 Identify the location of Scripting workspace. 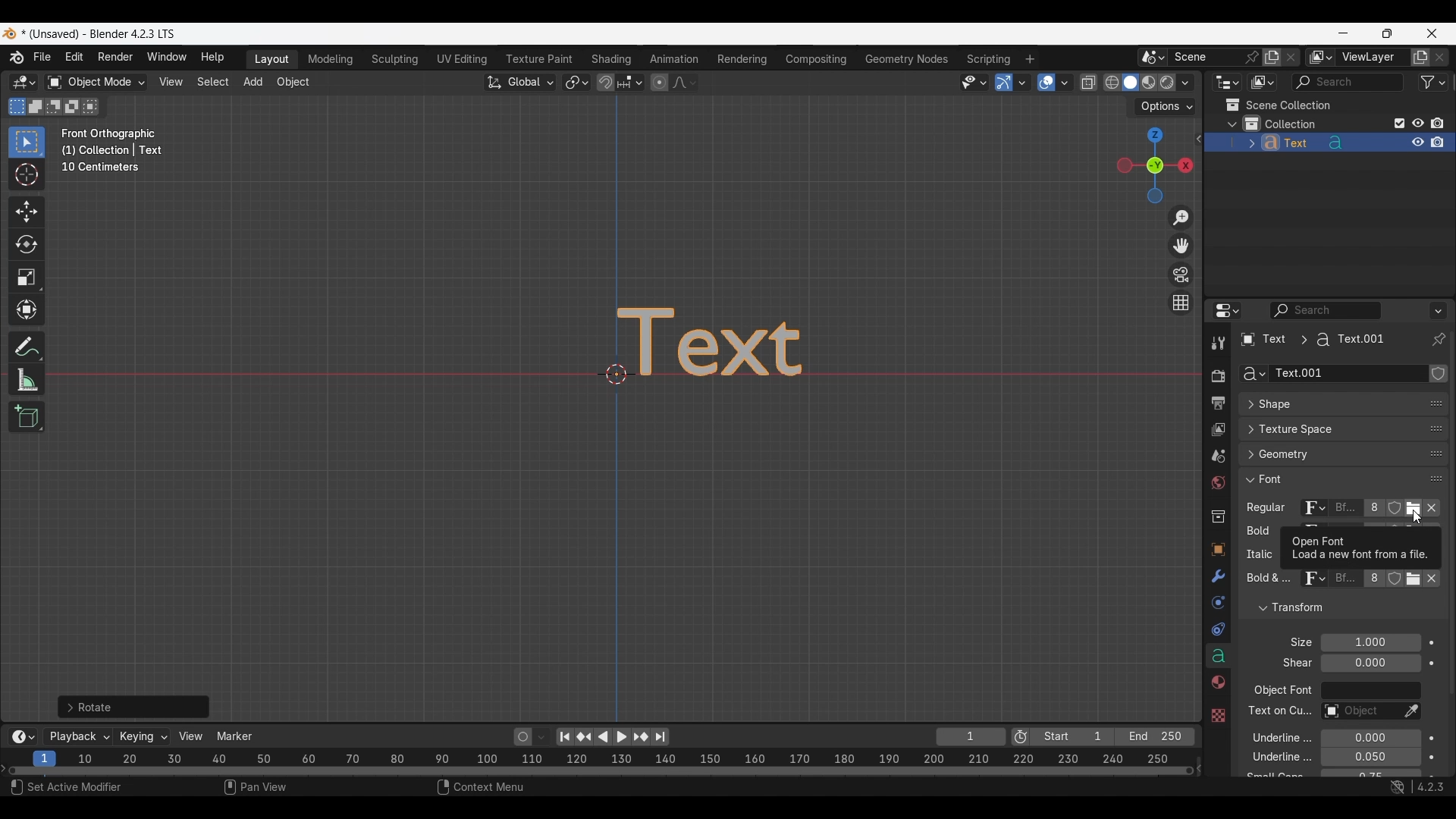
(987, 58).